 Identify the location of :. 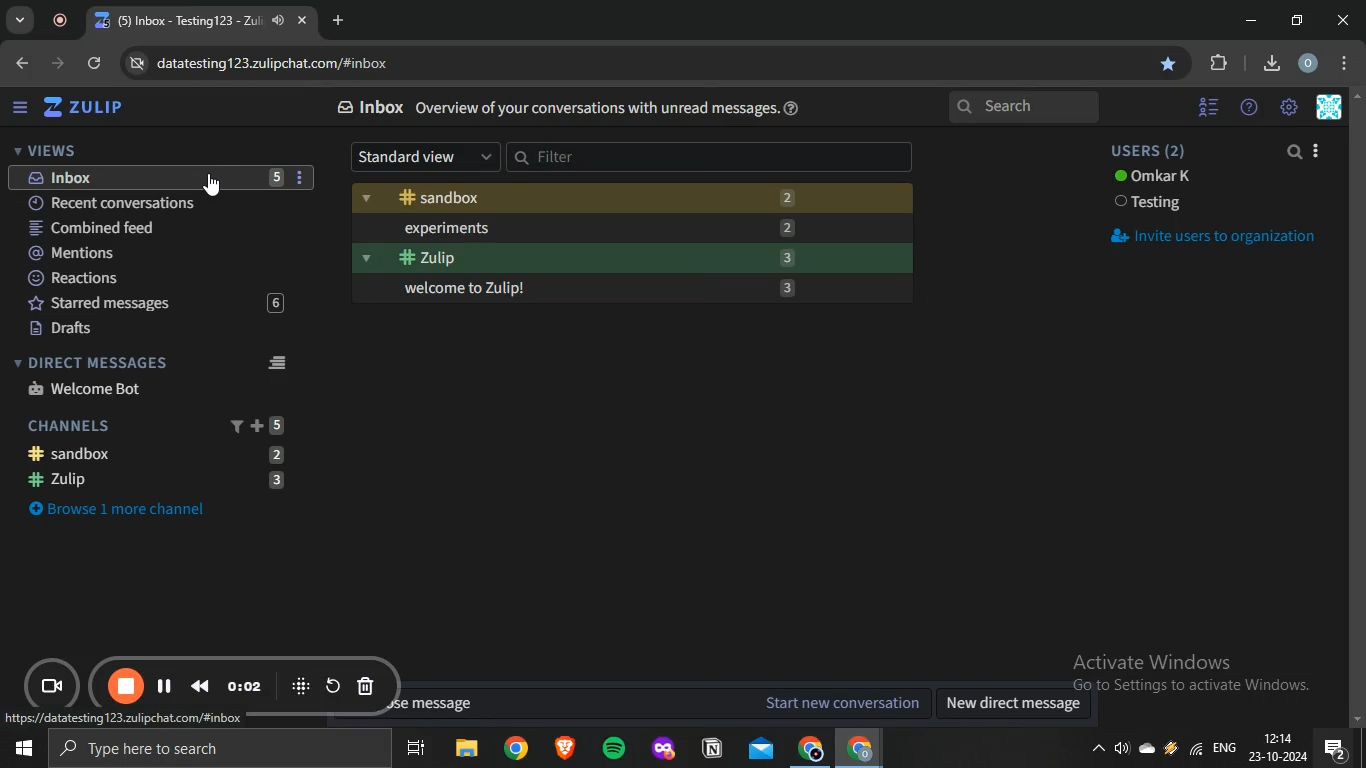
(301, 179).